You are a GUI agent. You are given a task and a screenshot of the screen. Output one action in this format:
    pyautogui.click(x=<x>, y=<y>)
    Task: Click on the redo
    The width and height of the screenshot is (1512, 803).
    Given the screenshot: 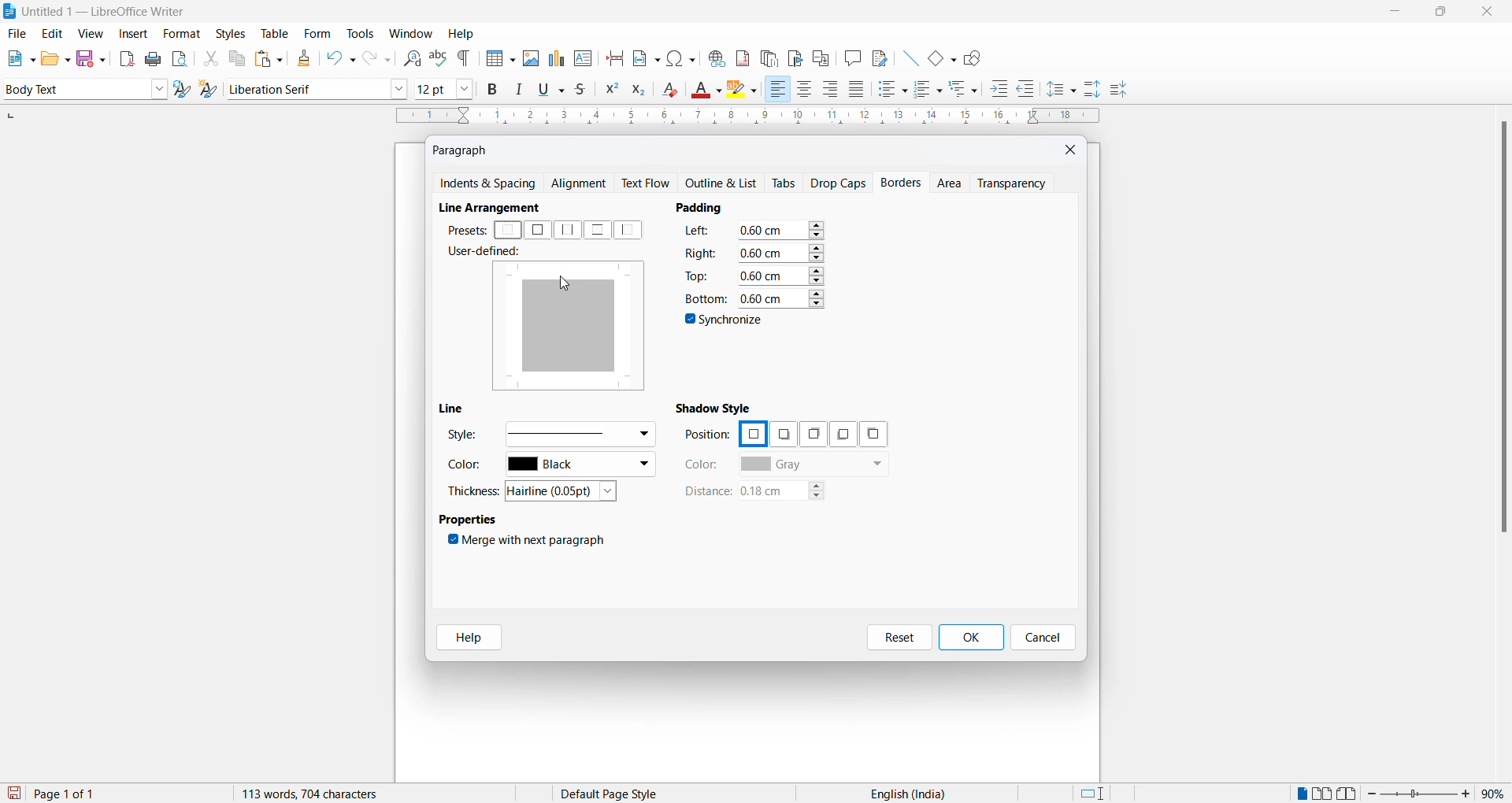 What is the action you would take?
    pyautogui.click(x=376, y=58)
    